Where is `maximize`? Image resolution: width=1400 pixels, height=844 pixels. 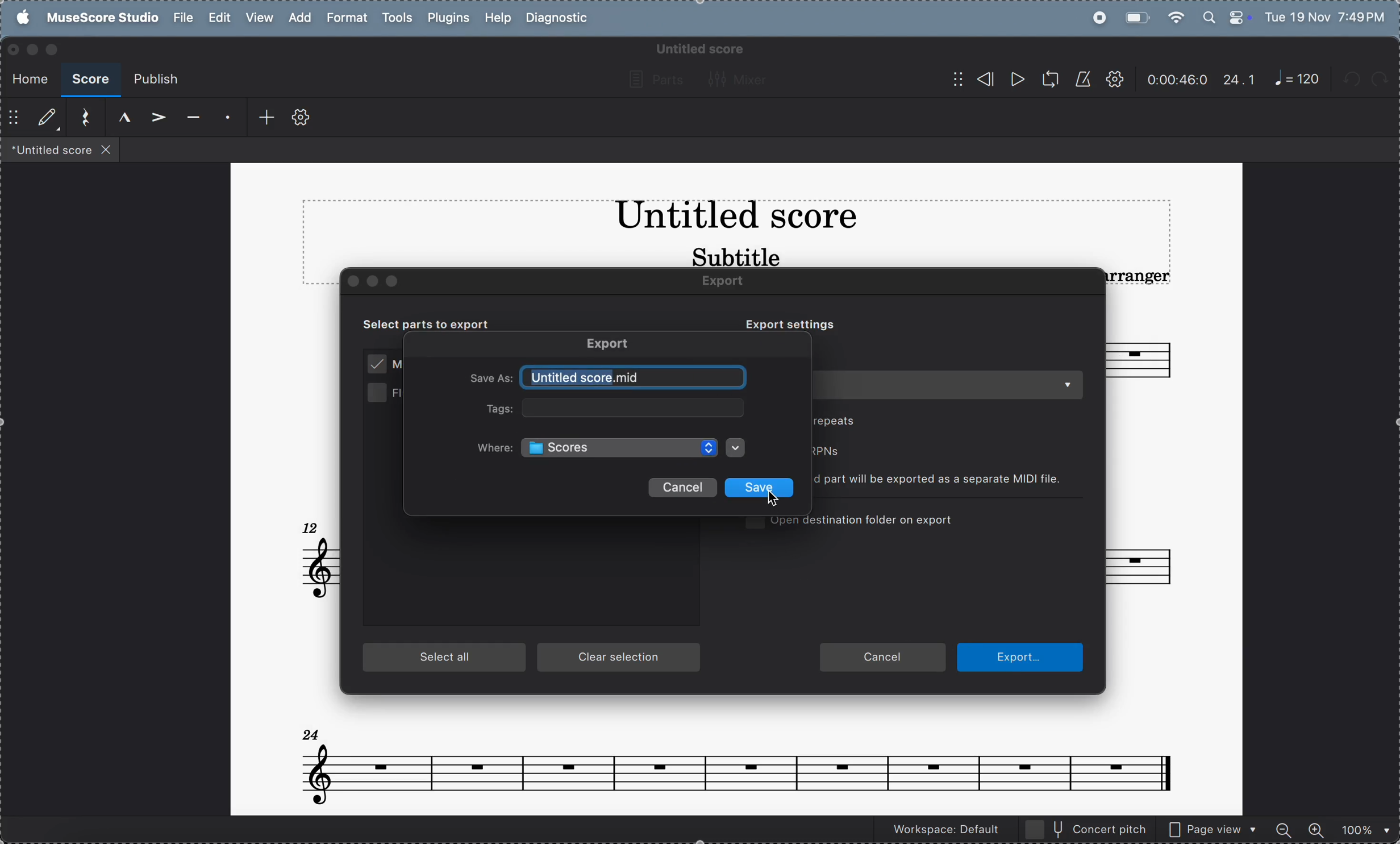
maximize is located at coordinates (55, 49).